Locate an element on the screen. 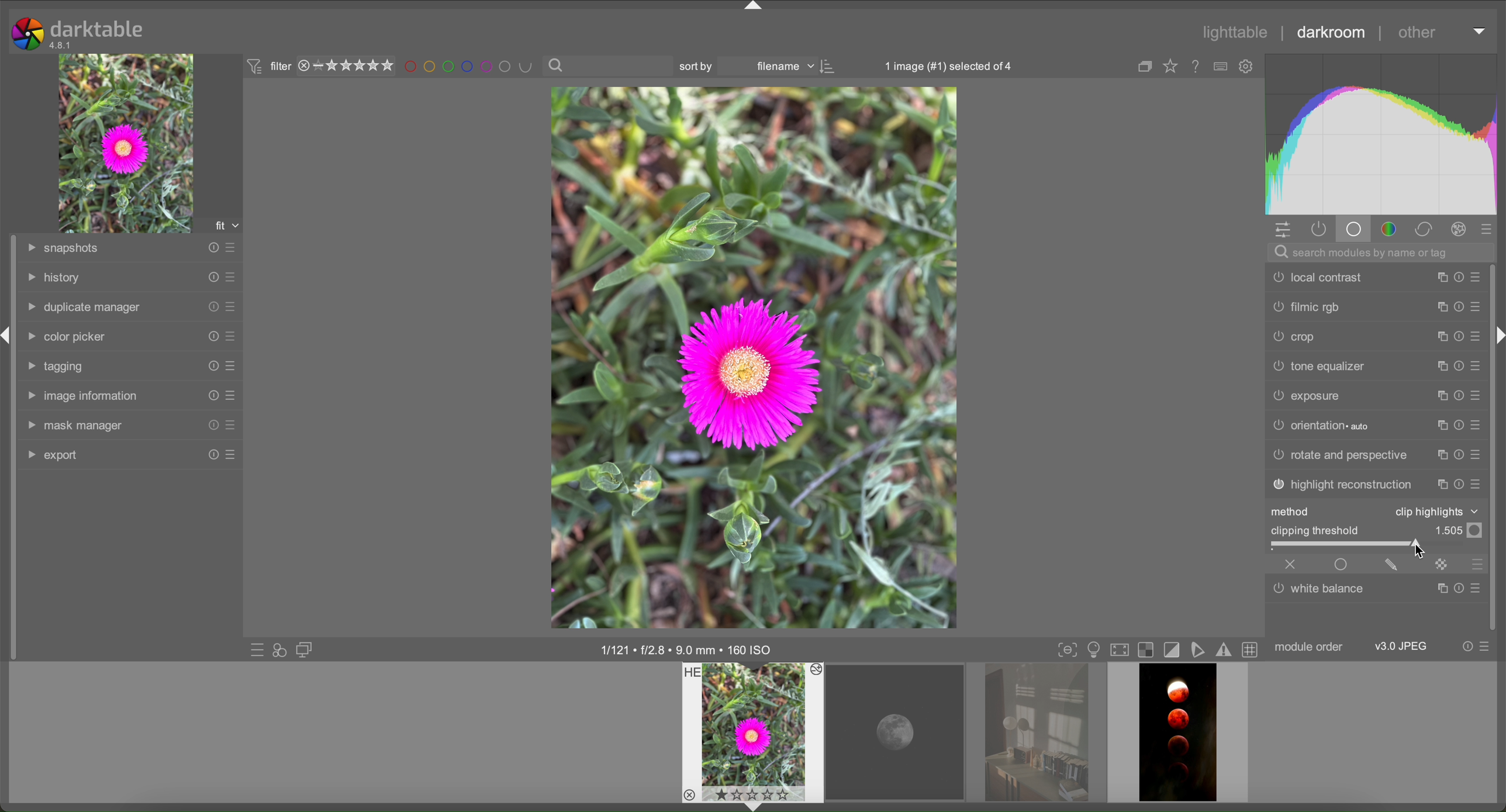 The width and height of the screenshot is (1506, 812). color picker tab is located at coordinates (64, 337).